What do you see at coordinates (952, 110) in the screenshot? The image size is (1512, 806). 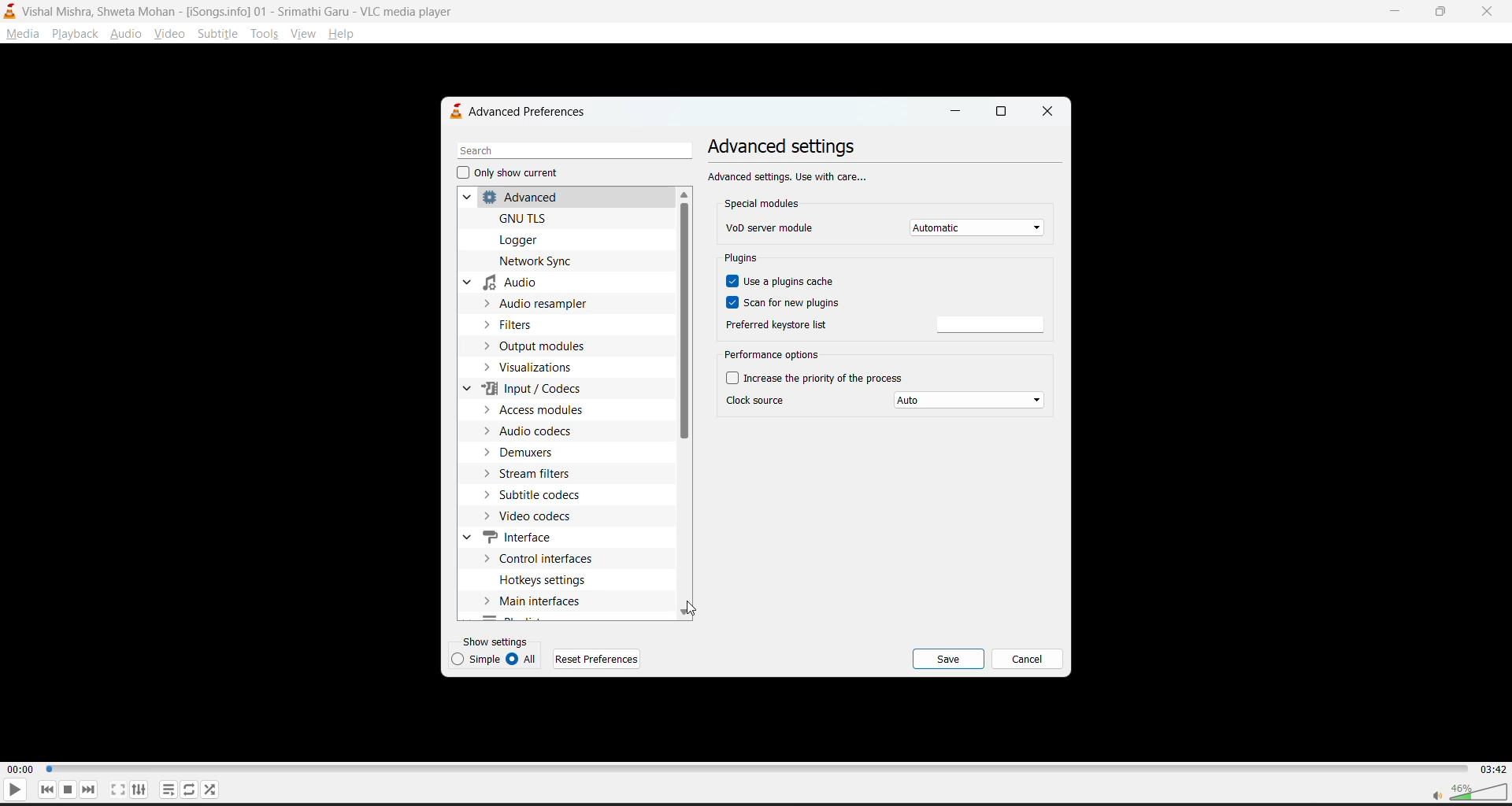 I see `minimize` at bounding box center [952, 110].